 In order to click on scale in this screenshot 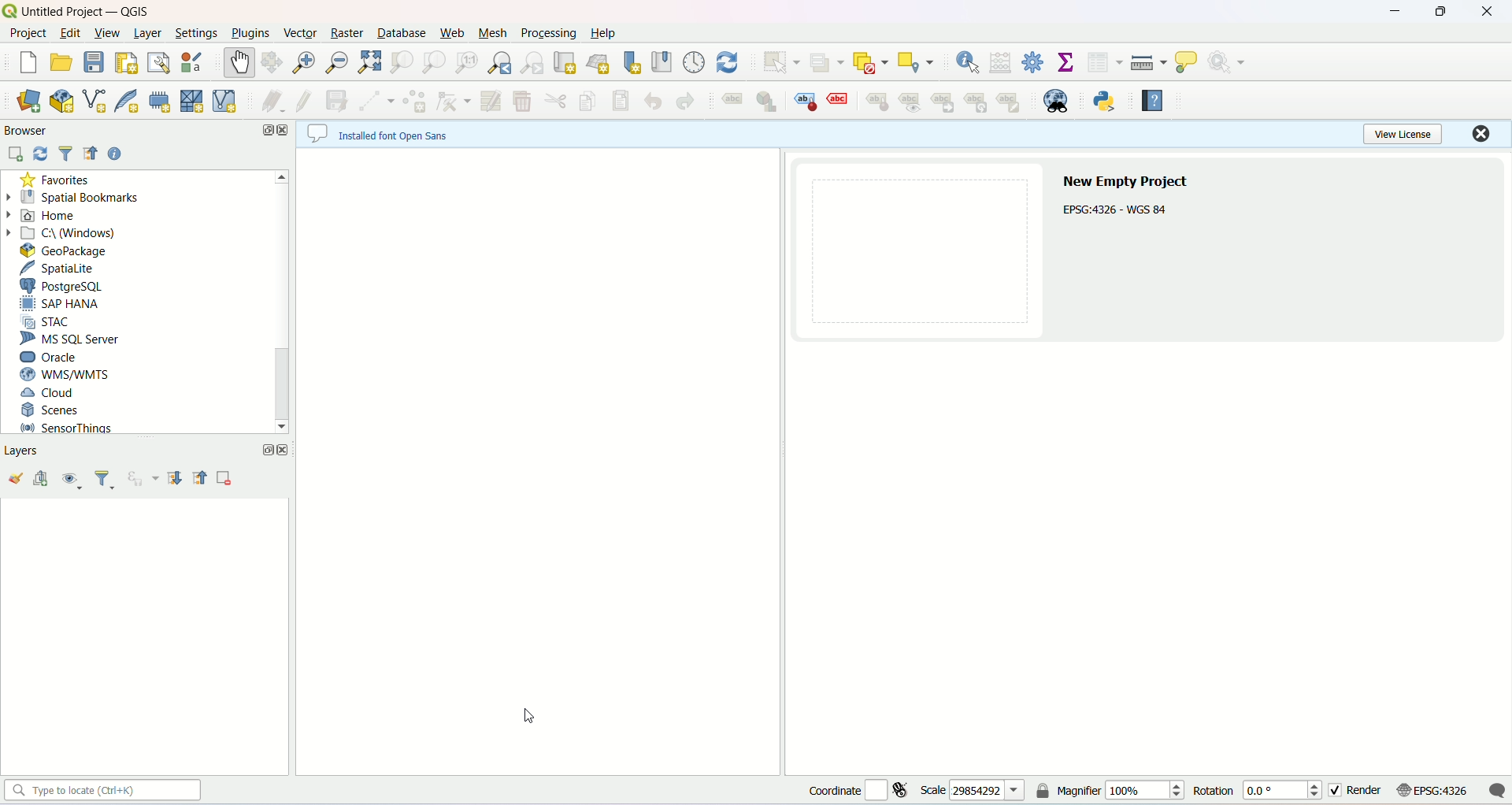, I will do `click(933, 791)`.